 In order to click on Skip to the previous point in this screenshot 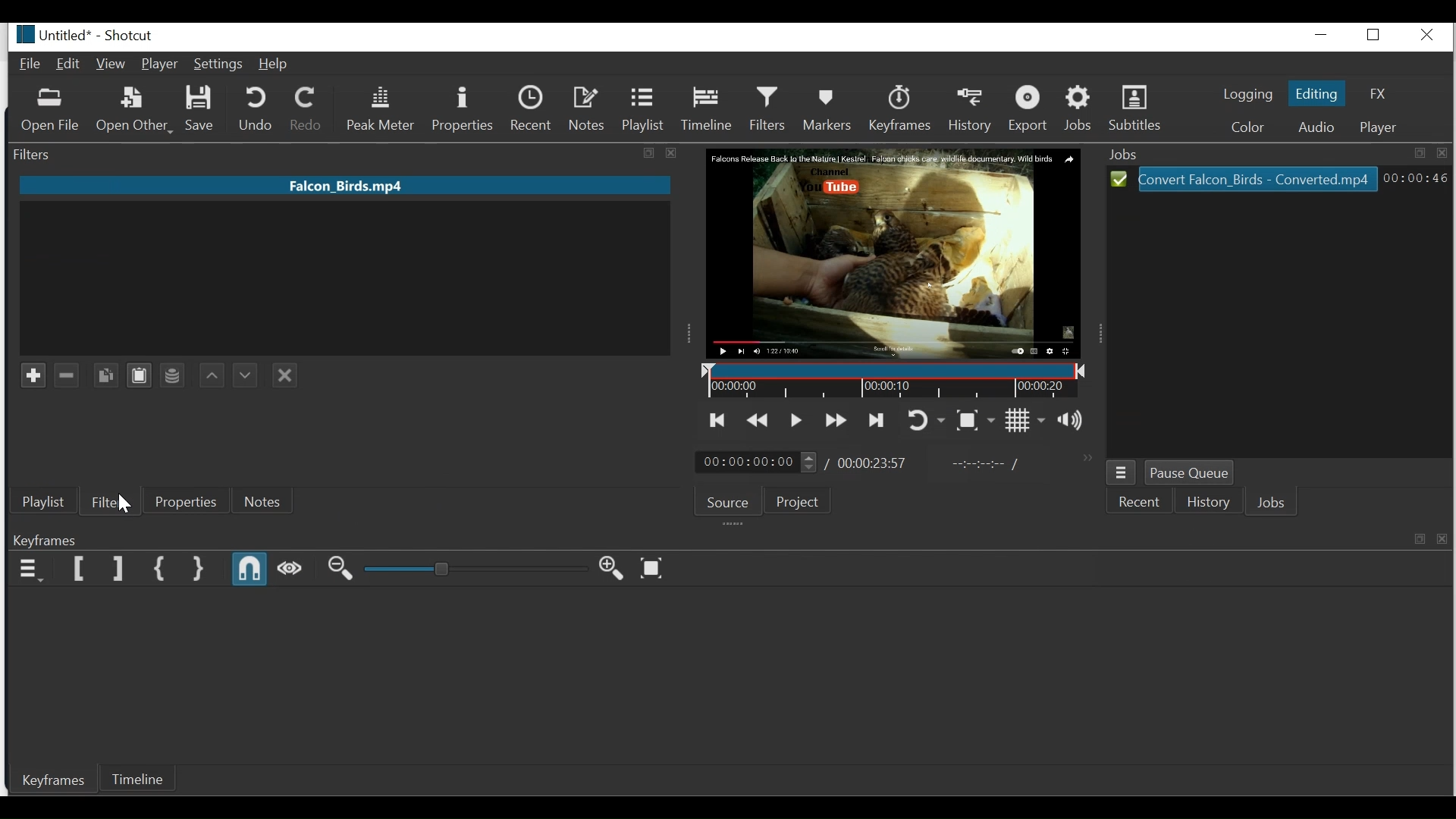, I will do `click(717, 422)`.